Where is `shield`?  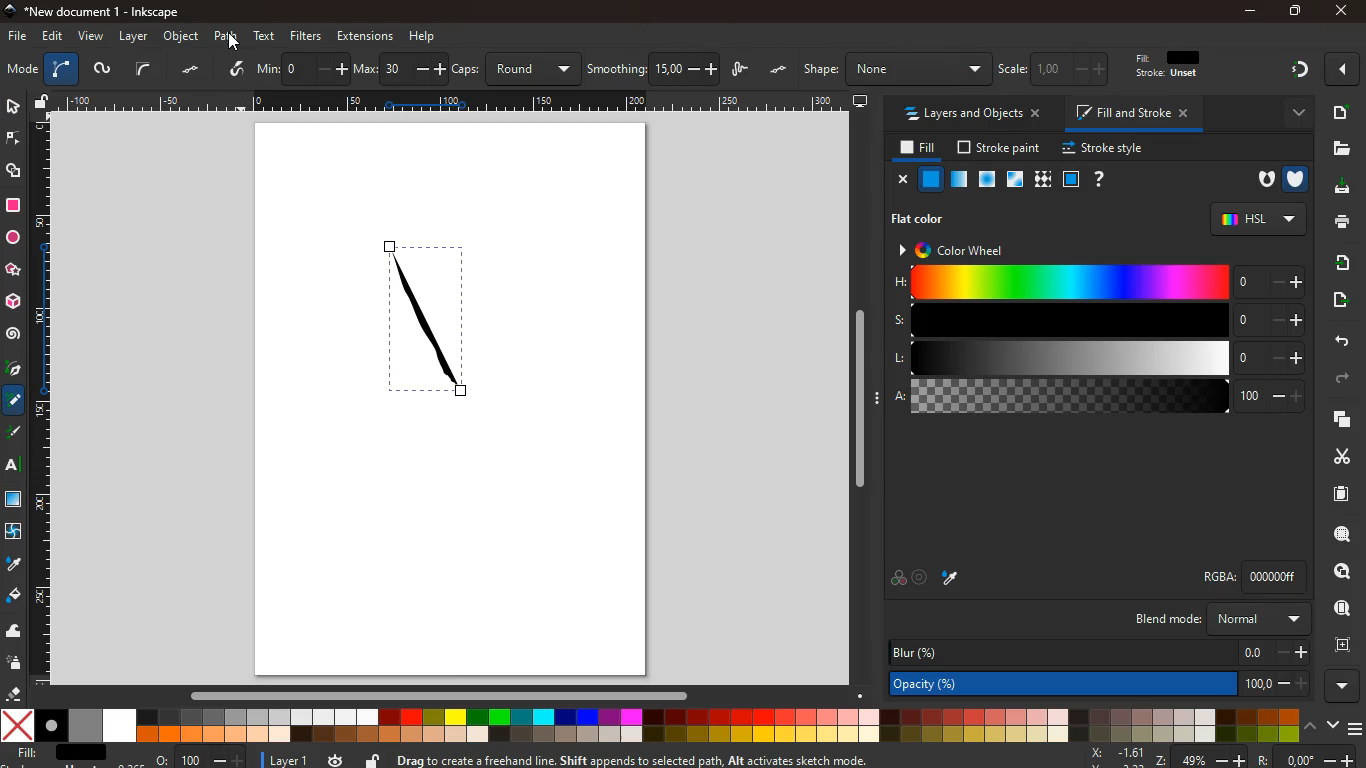 shield is located at coordinates (1297, 179).